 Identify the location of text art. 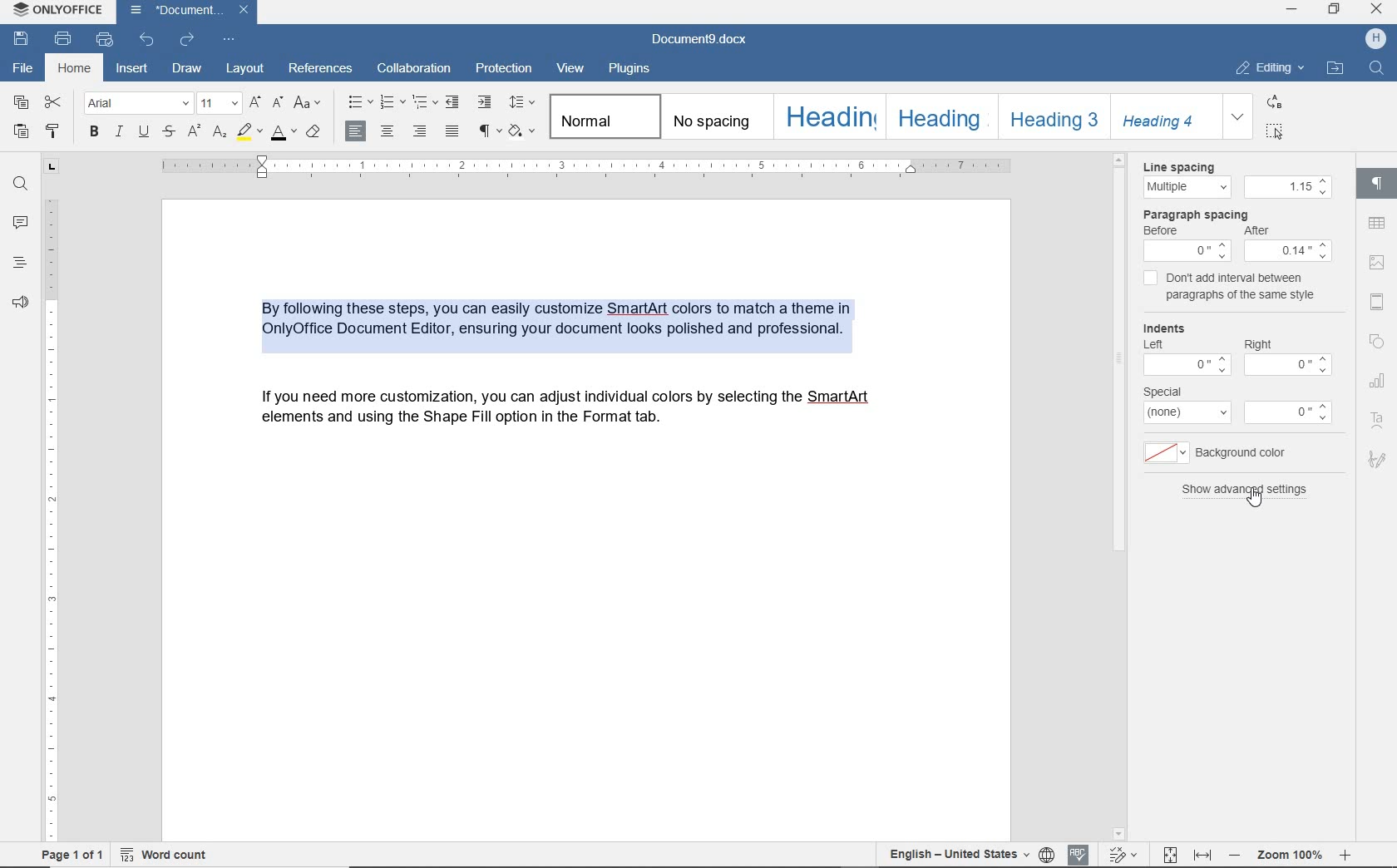
(1375, 420).